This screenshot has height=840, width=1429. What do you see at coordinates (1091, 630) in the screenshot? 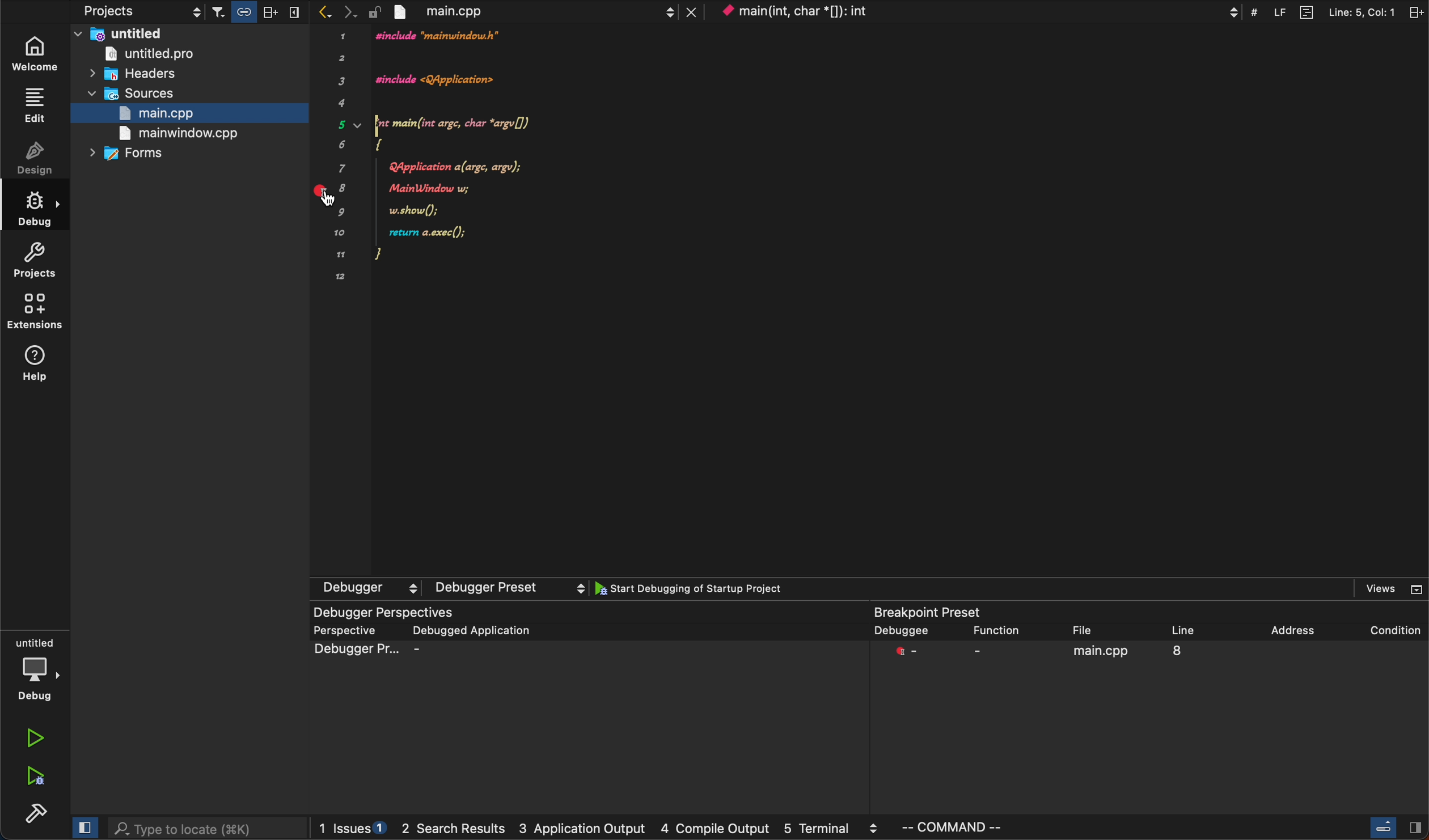
I see `file` at bounding box center [1091, 630].